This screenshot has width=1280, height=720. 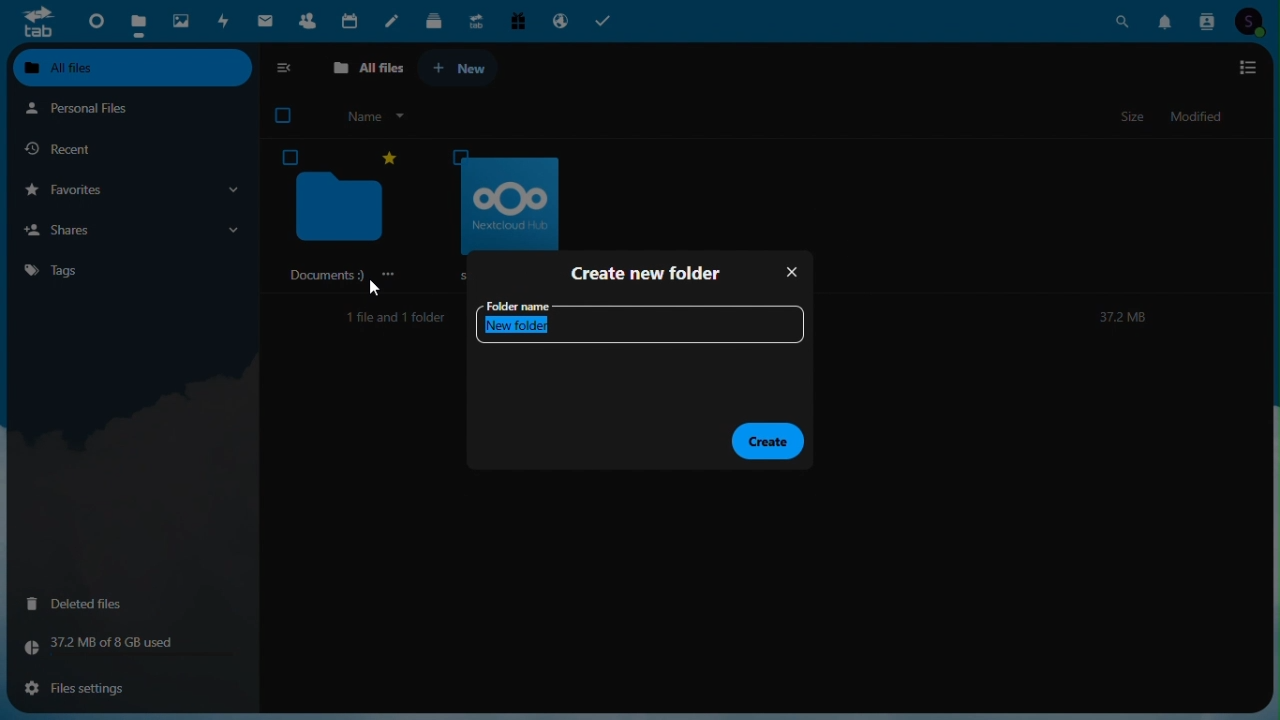 What do you see at coordinates (787, 272) in the screenshot?
I see `Close` at bounding box center [787, 272].